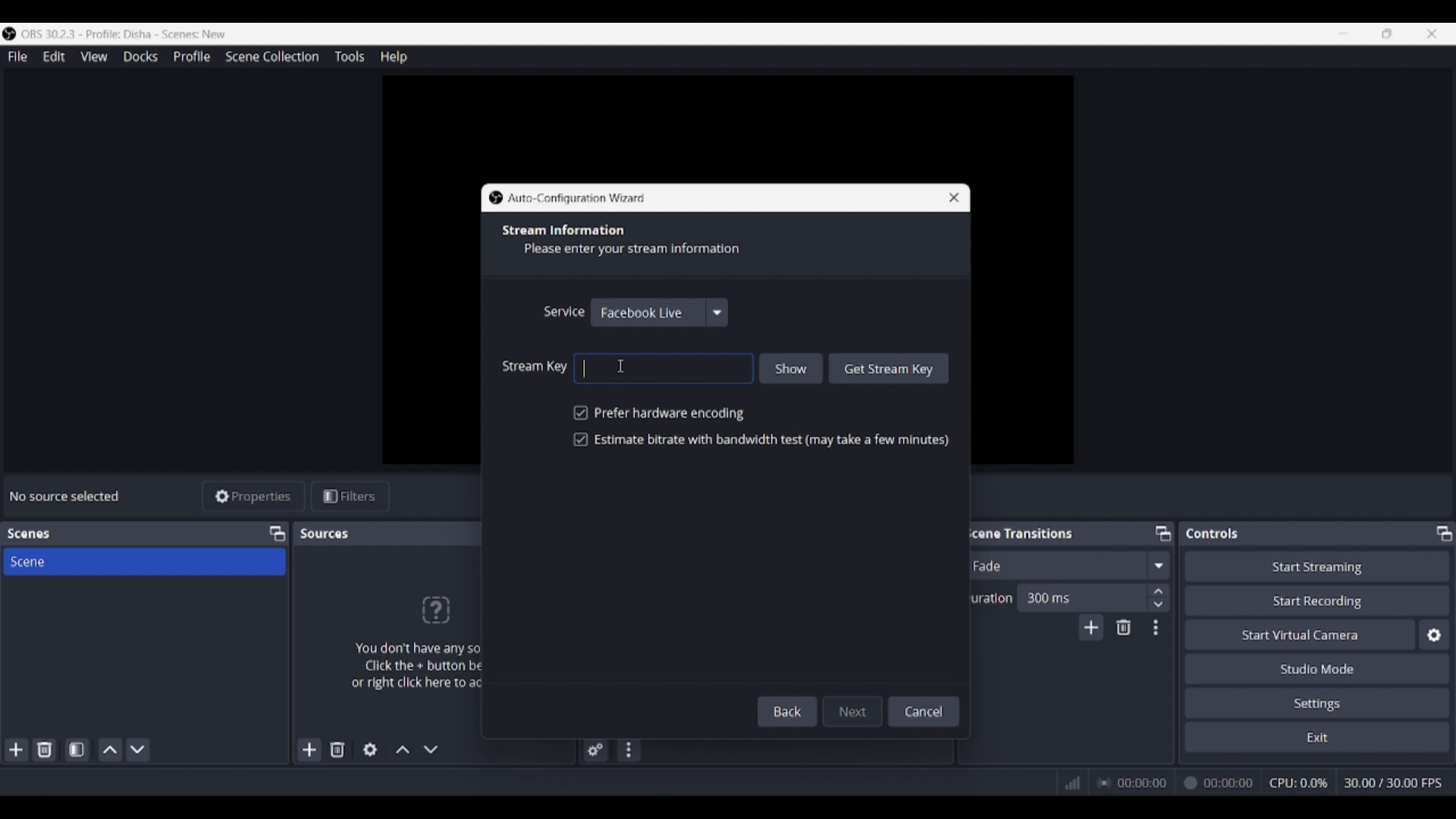 Image resolution: width=1456 pixels, height=819 pixels. Describe the element at coordinates (192, 57) in the screenshot. I see `Profile menu, highlighted by cursor` at that location.